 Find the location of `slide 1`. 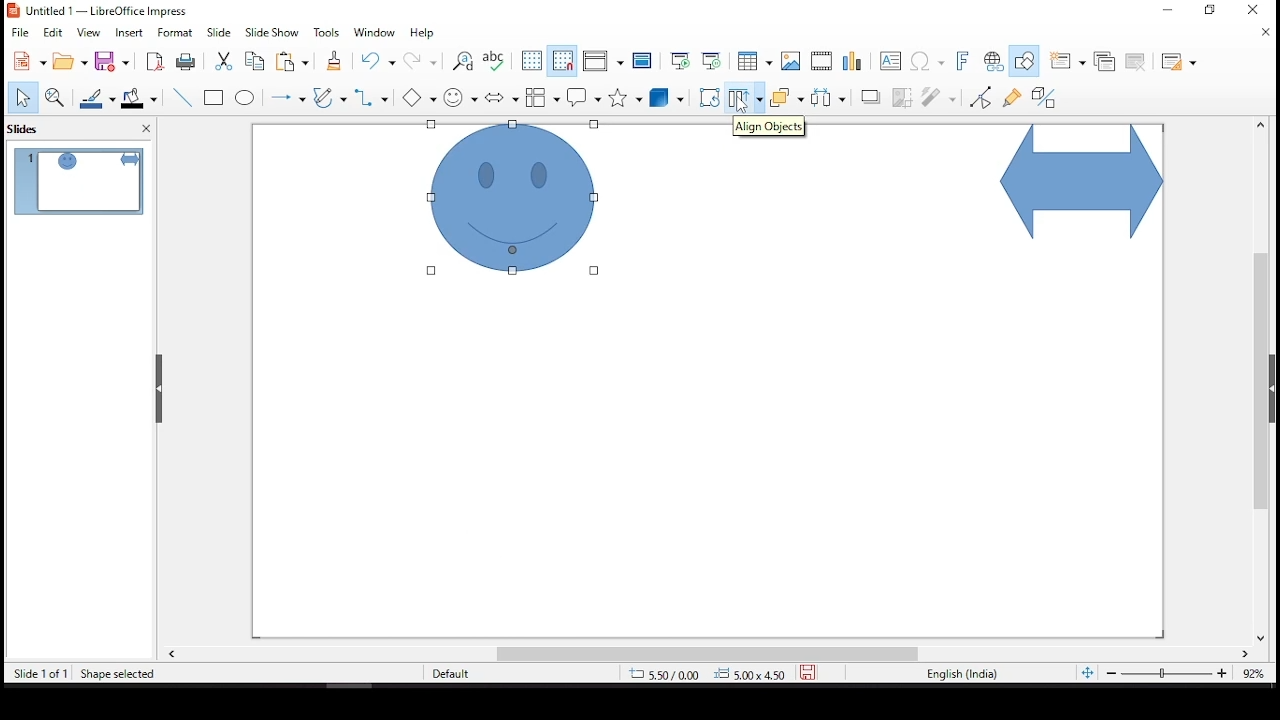

slide 1 is located at coordinates (78, 181).